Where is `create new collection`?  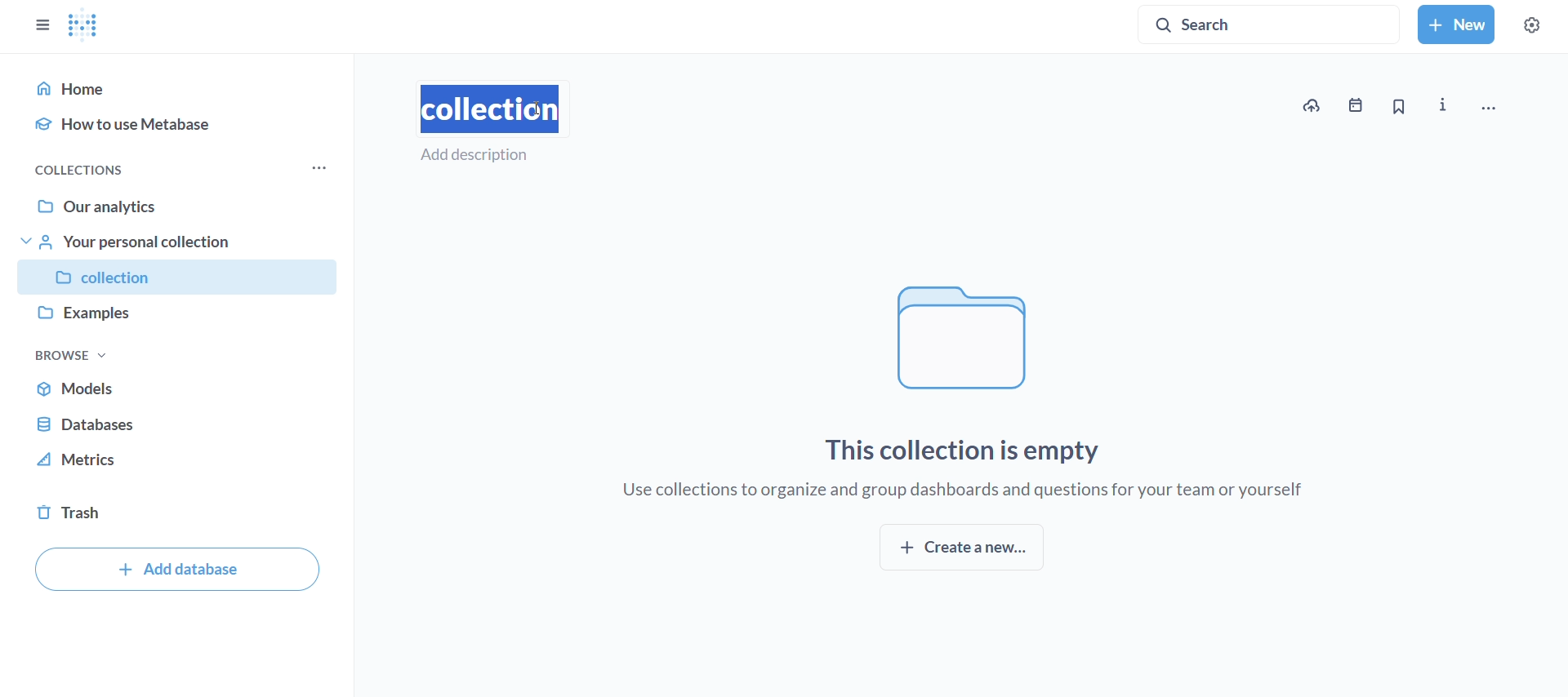
create new collection is located at coordinates (961, 548).